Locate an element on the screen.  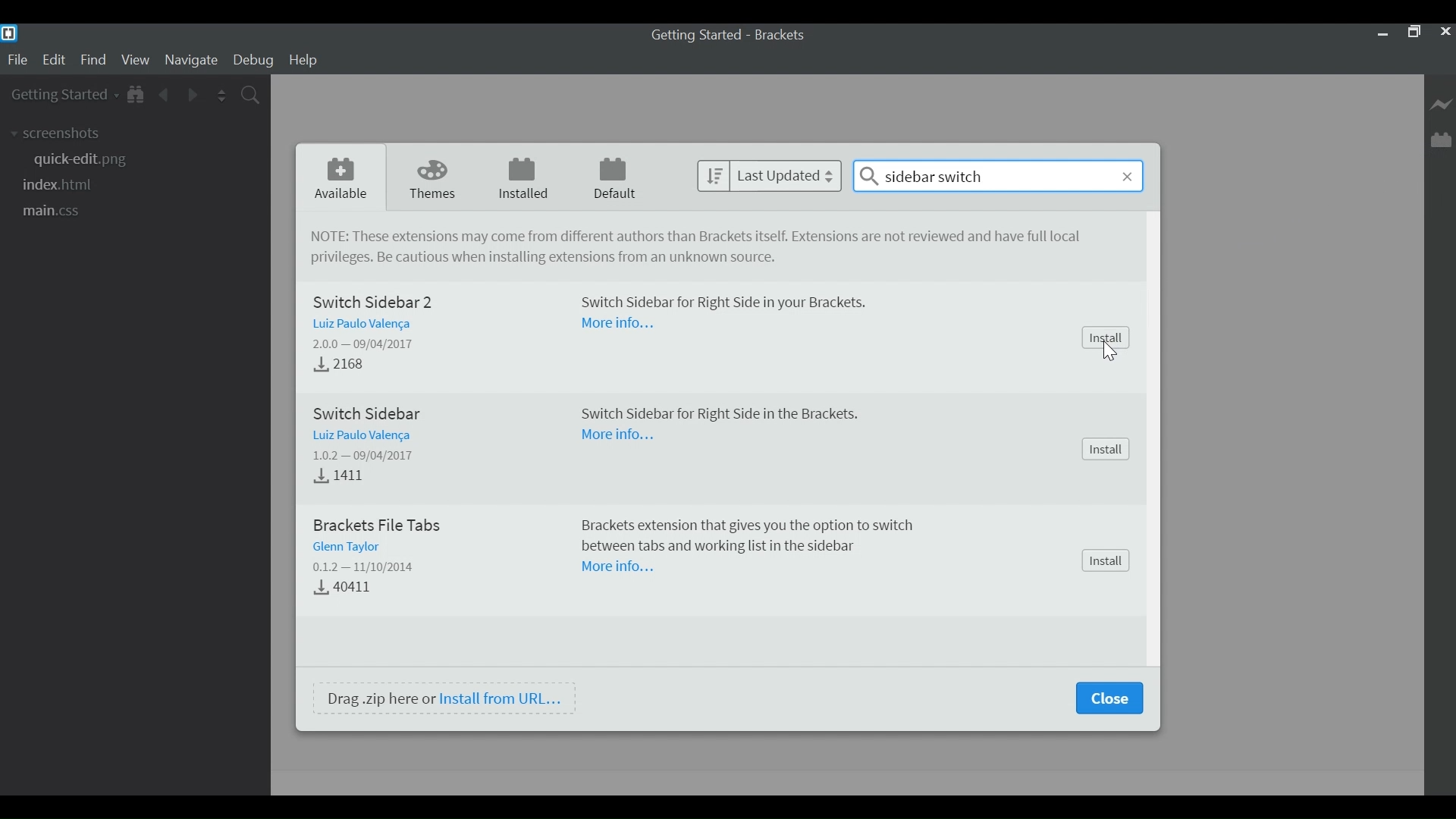
Themes is located at coordinates (428, 177).